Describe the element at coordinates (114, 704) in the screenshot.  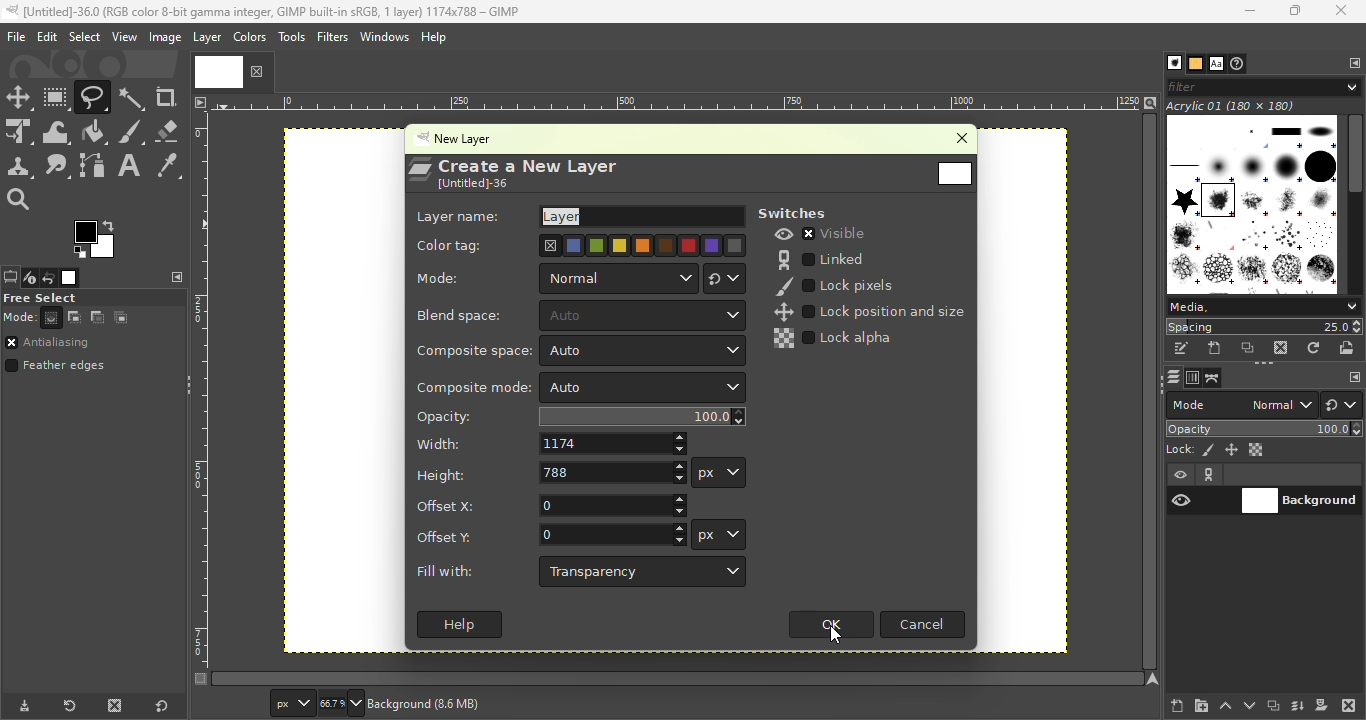
I see `Delete tool preset` at that location.